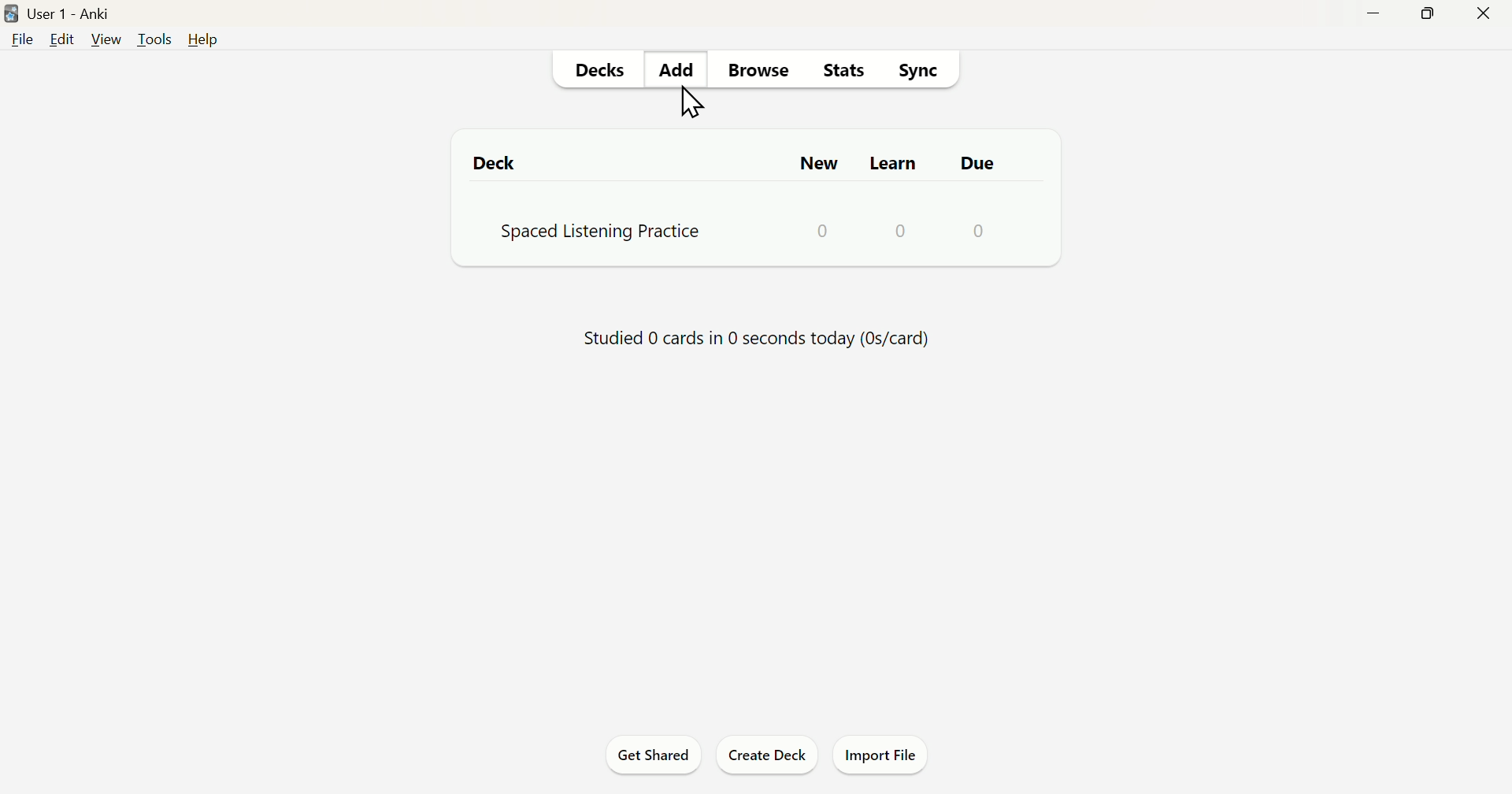 This screenshot has height=794, width=1512. What do you see at coordinates (760, 71) in the screenshot?
I see `Browse` at bounding box center [760, 71].